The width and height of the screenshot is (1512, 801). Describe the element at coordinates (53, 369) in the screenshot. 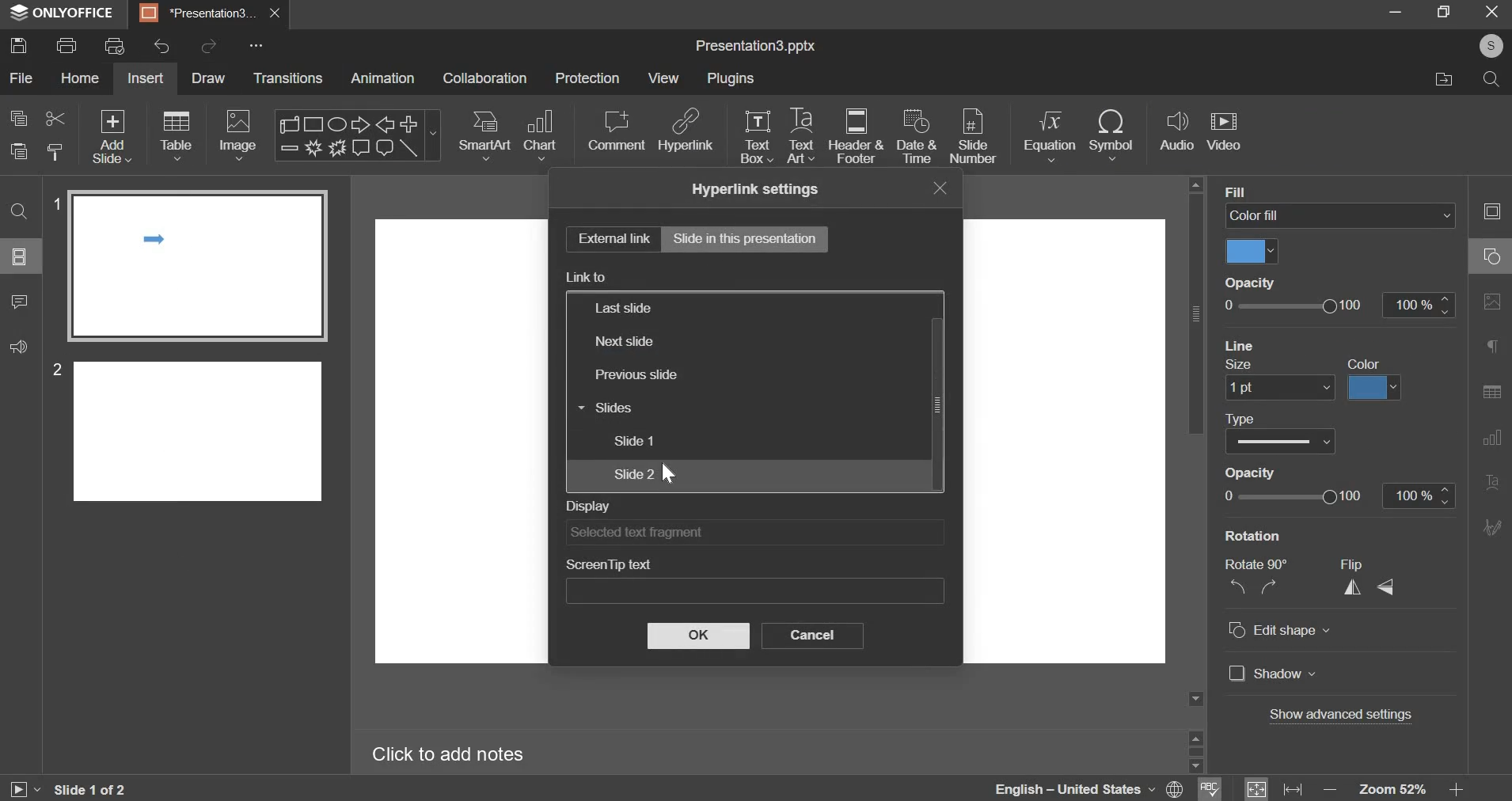

I see `slide number` at that location.